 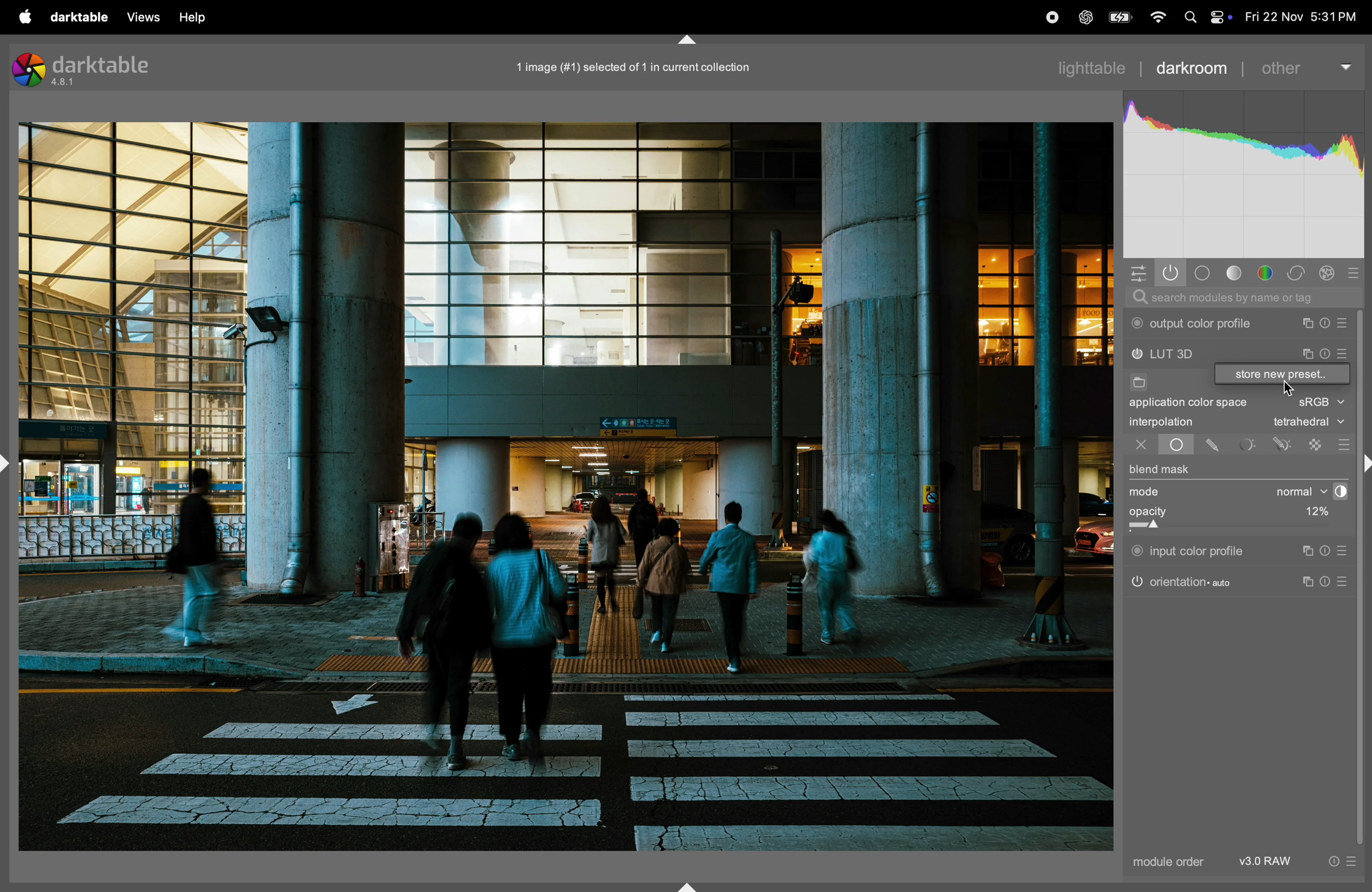 What do you see at coordinates (1118, 17) in the screenshot?
I see `battery` at bounding box center [1118, 17].